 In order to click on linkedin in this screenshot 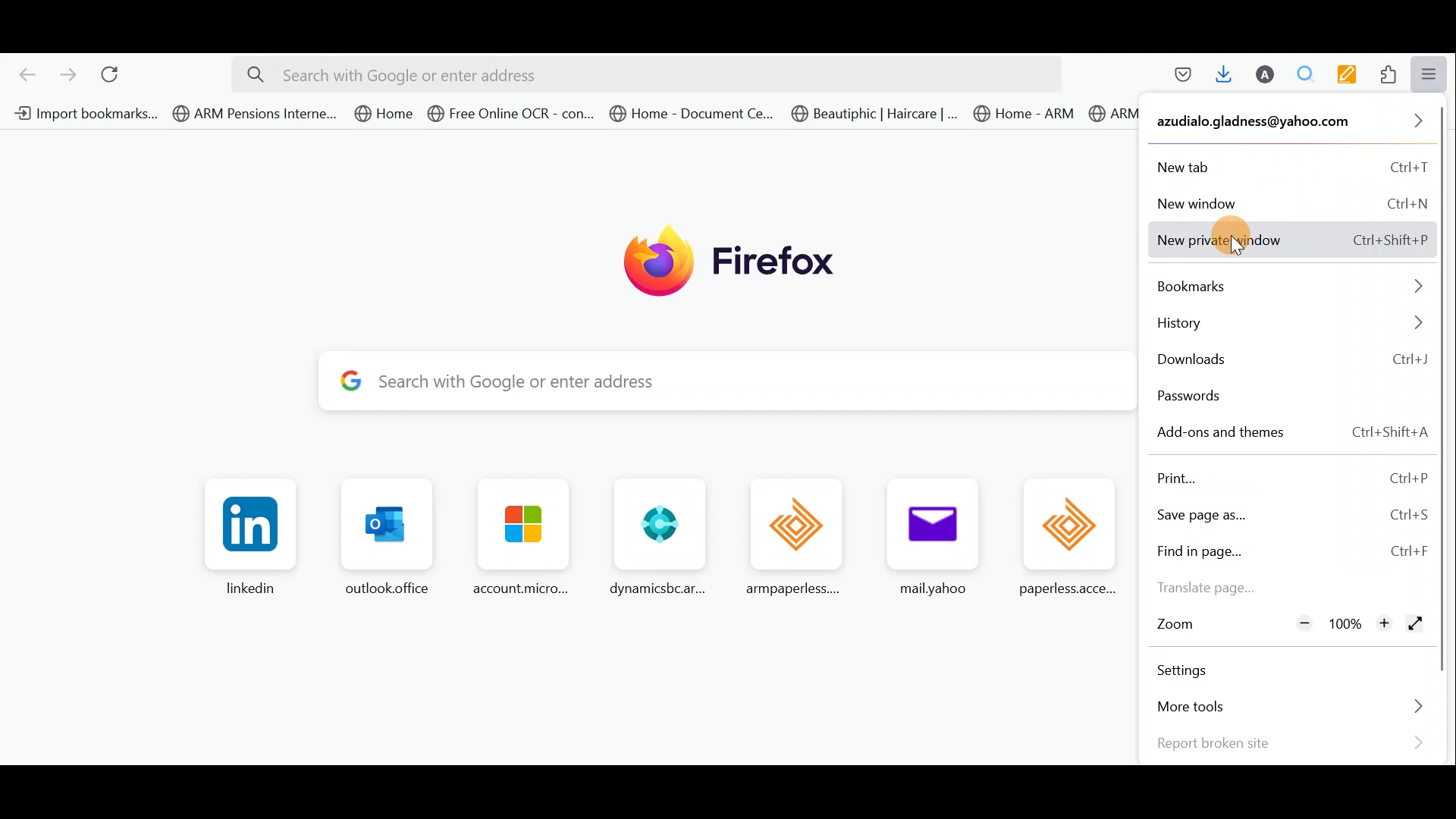, I will do `click(250, 538)`.